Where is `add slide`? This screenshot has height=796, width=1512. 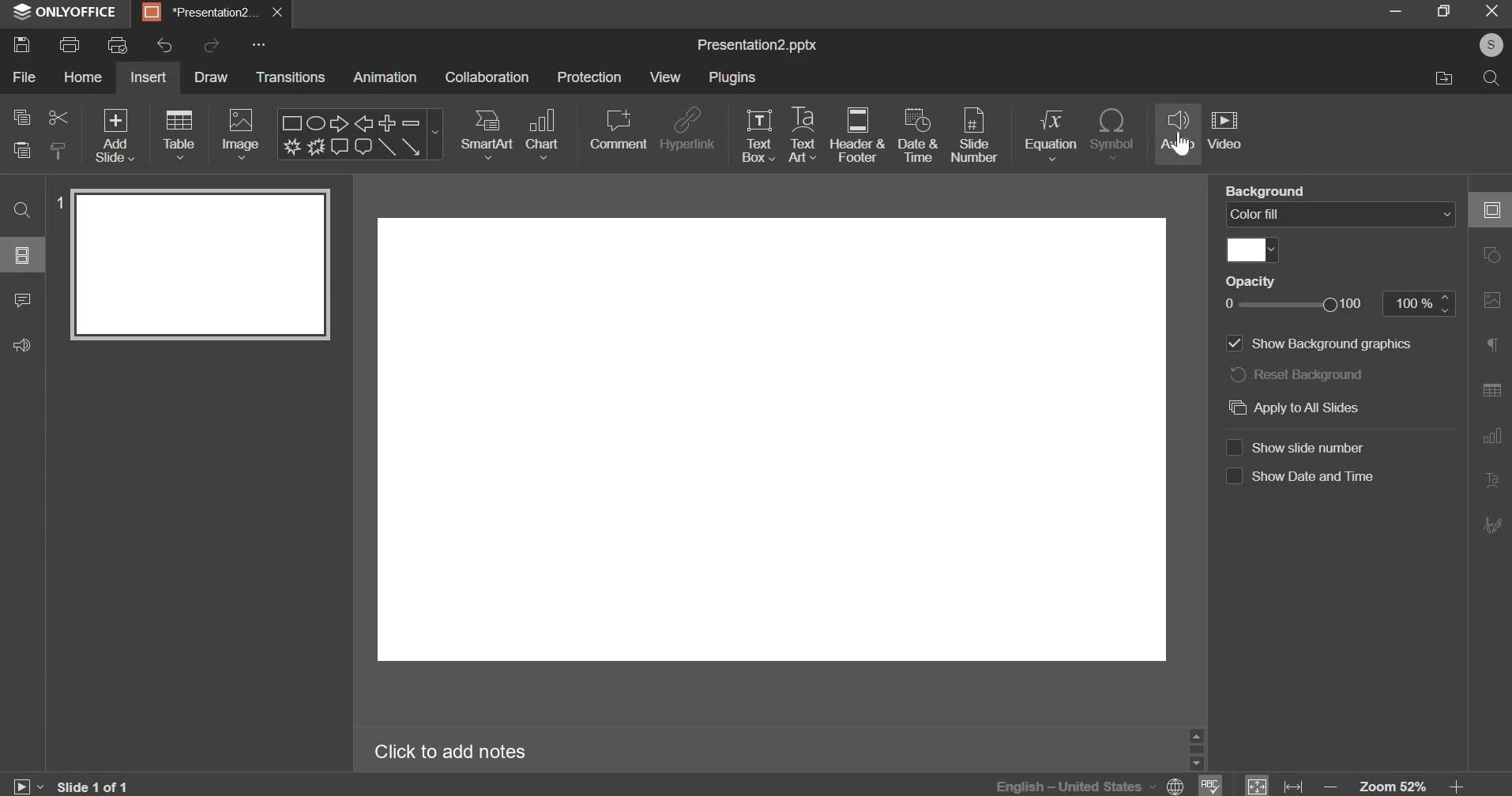
add slide is located at coordinates (116, 137).